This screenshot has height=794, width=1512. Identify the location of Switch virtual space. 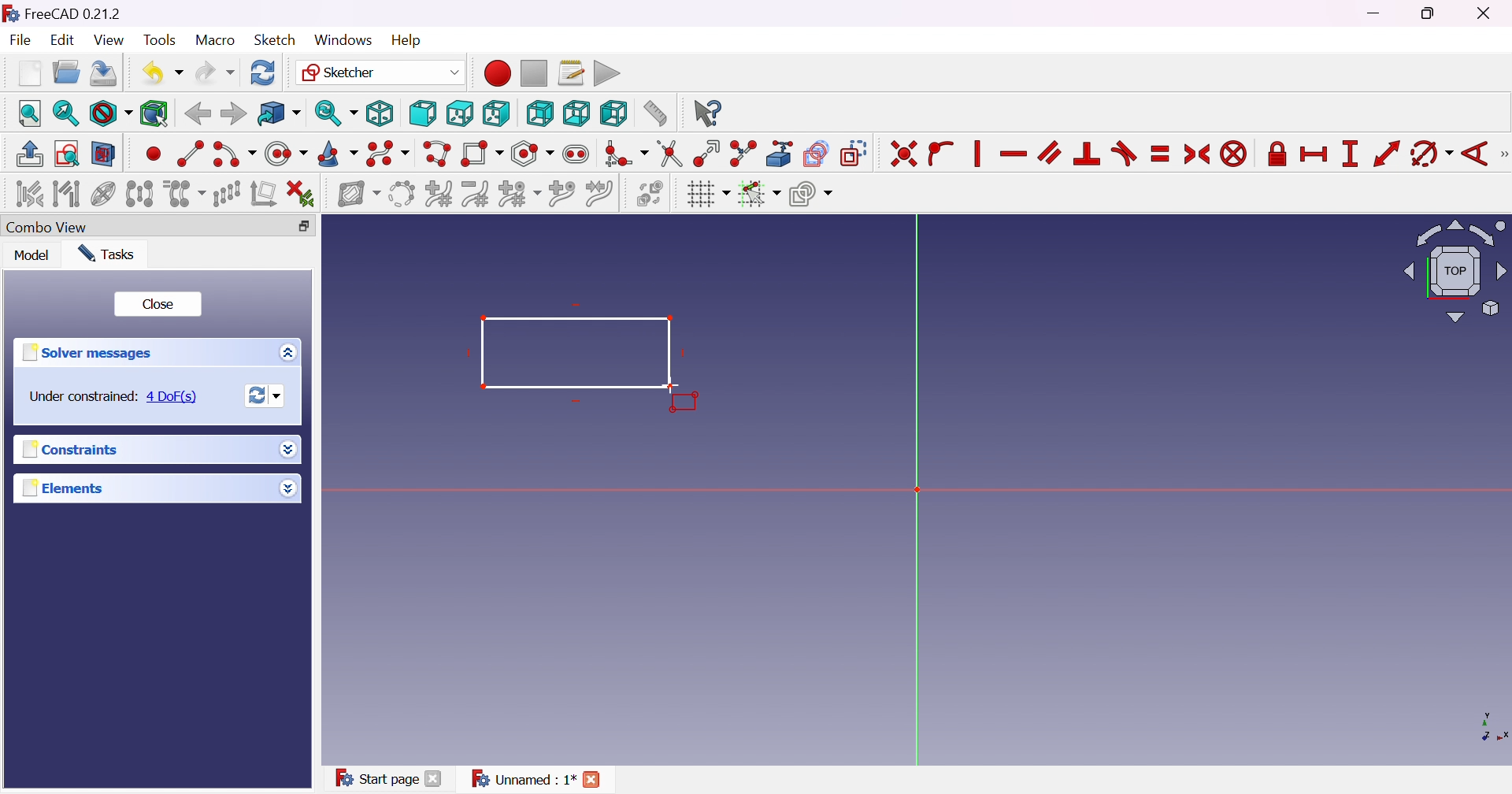
(653, 195).